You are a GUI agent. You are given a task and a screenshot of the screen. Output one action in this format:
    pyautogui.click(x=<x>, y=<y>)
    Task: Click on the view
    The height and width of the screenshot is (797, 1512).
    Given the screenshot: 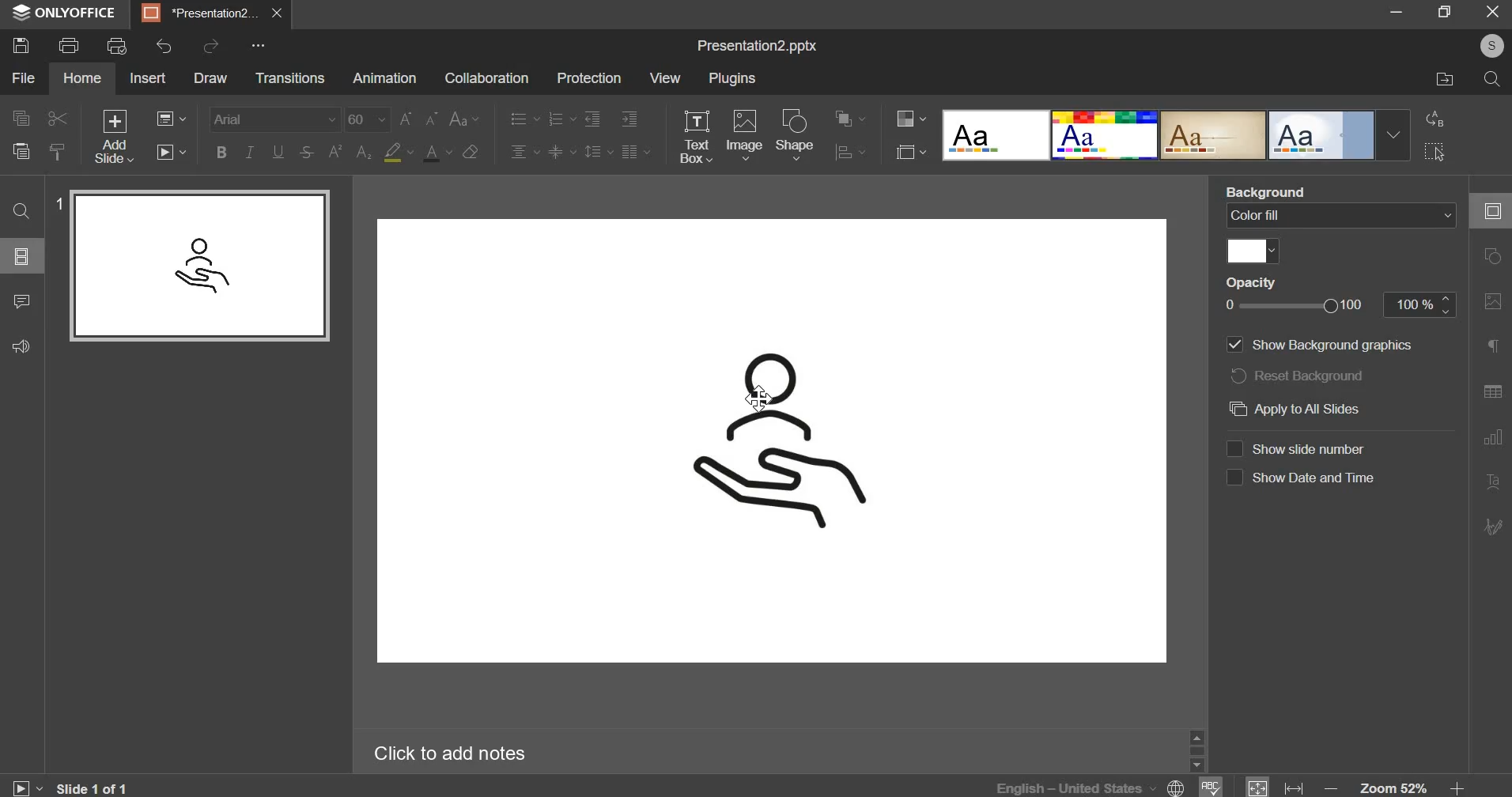 What is the action you would take?
    pyautogui.click(x=664, y=77)
    